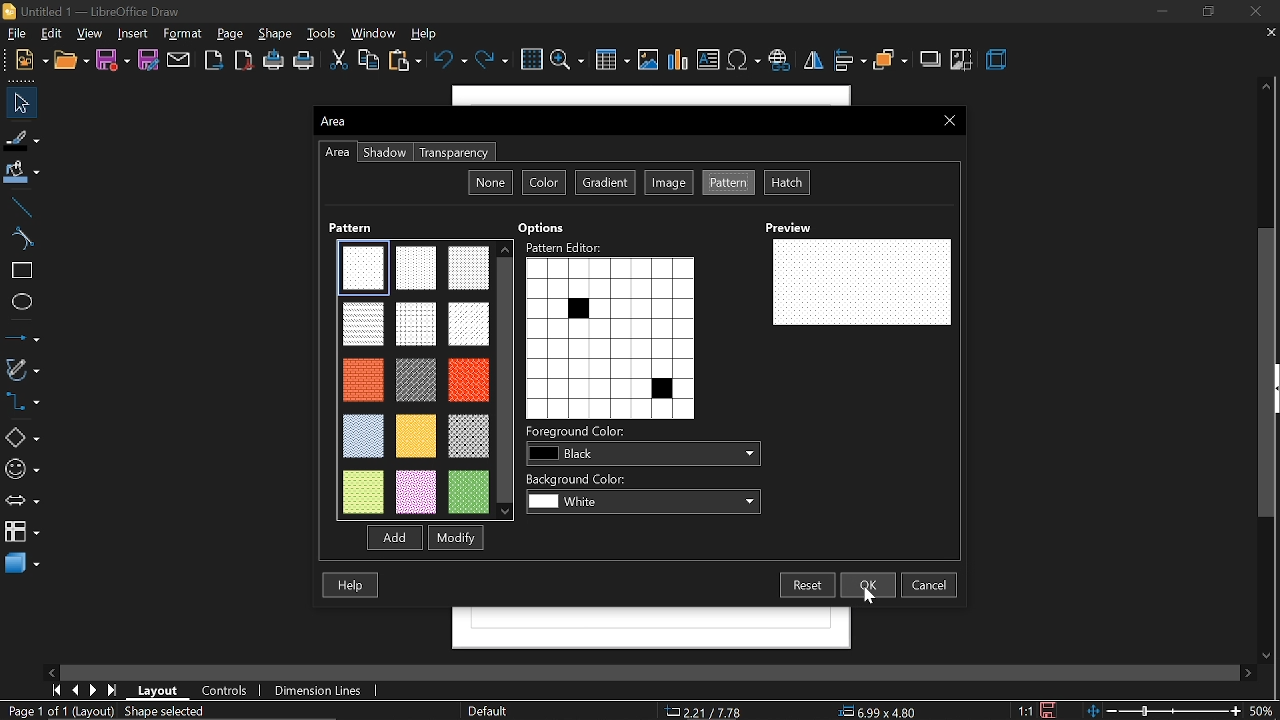  I want to click on symbol shapes, so click(22, 469).